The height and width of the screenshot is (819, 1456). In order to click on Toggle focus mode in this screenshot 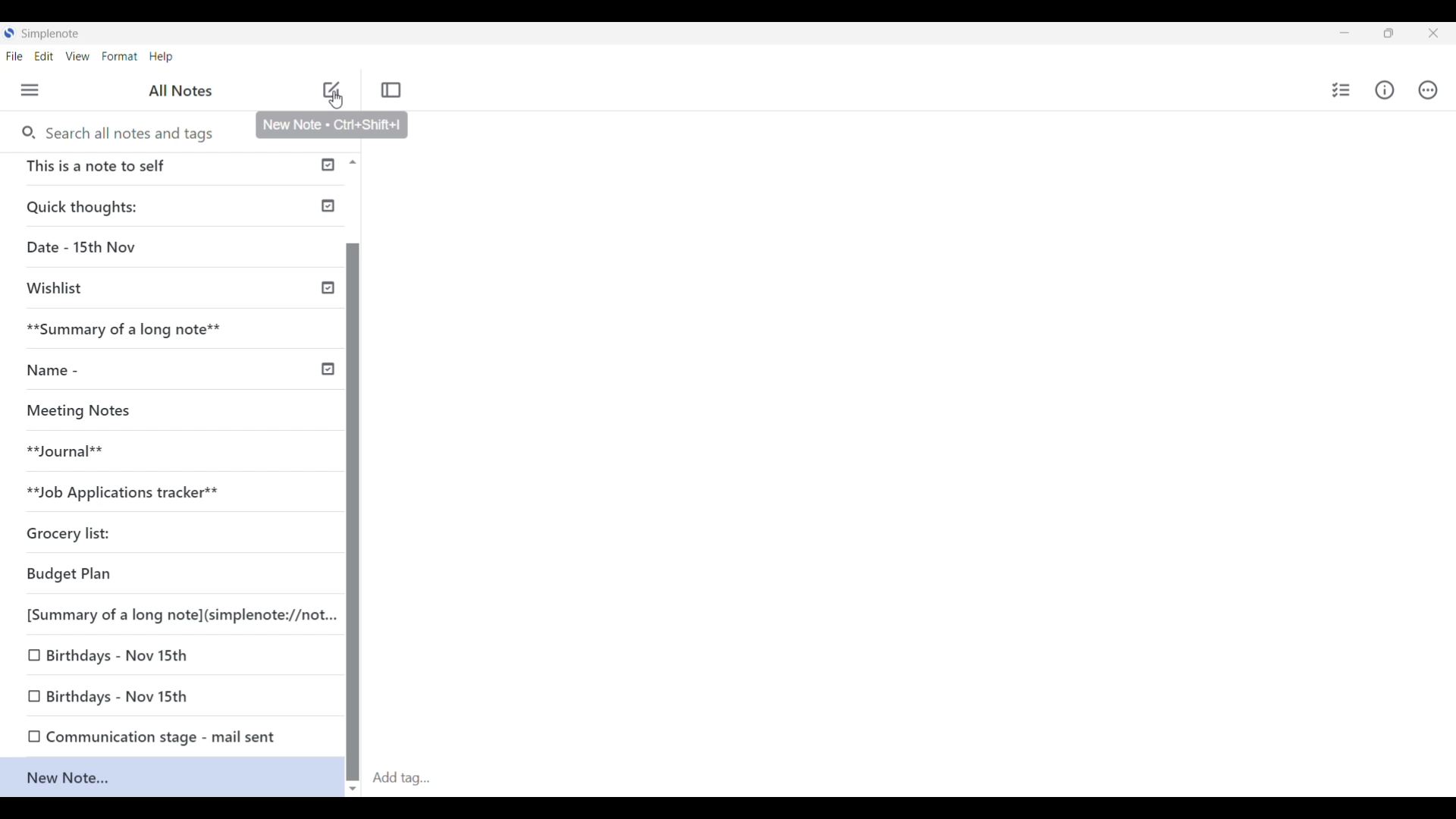, I will do `click(391, 89)`.